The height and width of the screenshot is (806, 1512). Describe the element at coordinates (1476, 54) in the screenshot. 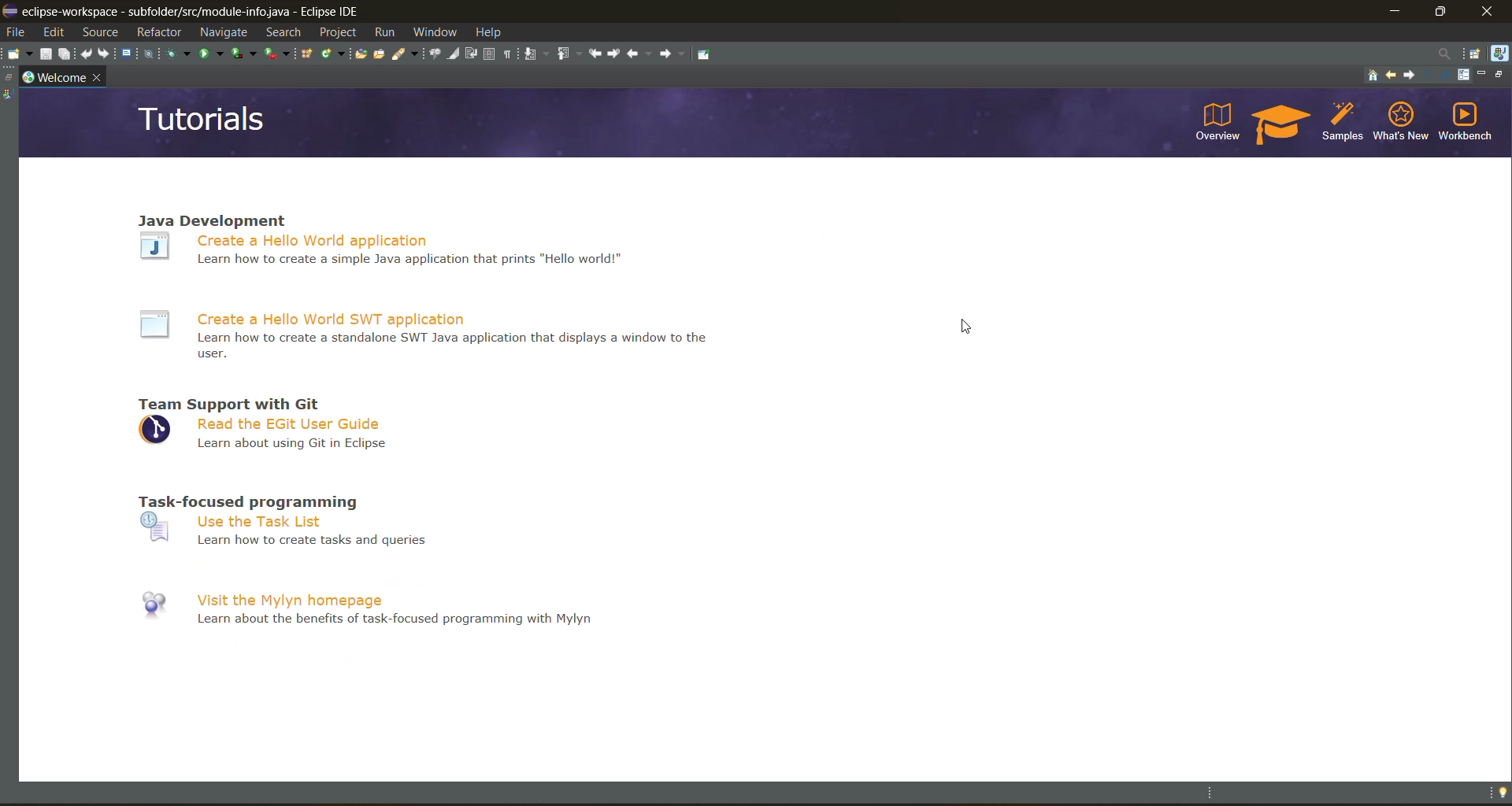

I see `open perspective` at that location.